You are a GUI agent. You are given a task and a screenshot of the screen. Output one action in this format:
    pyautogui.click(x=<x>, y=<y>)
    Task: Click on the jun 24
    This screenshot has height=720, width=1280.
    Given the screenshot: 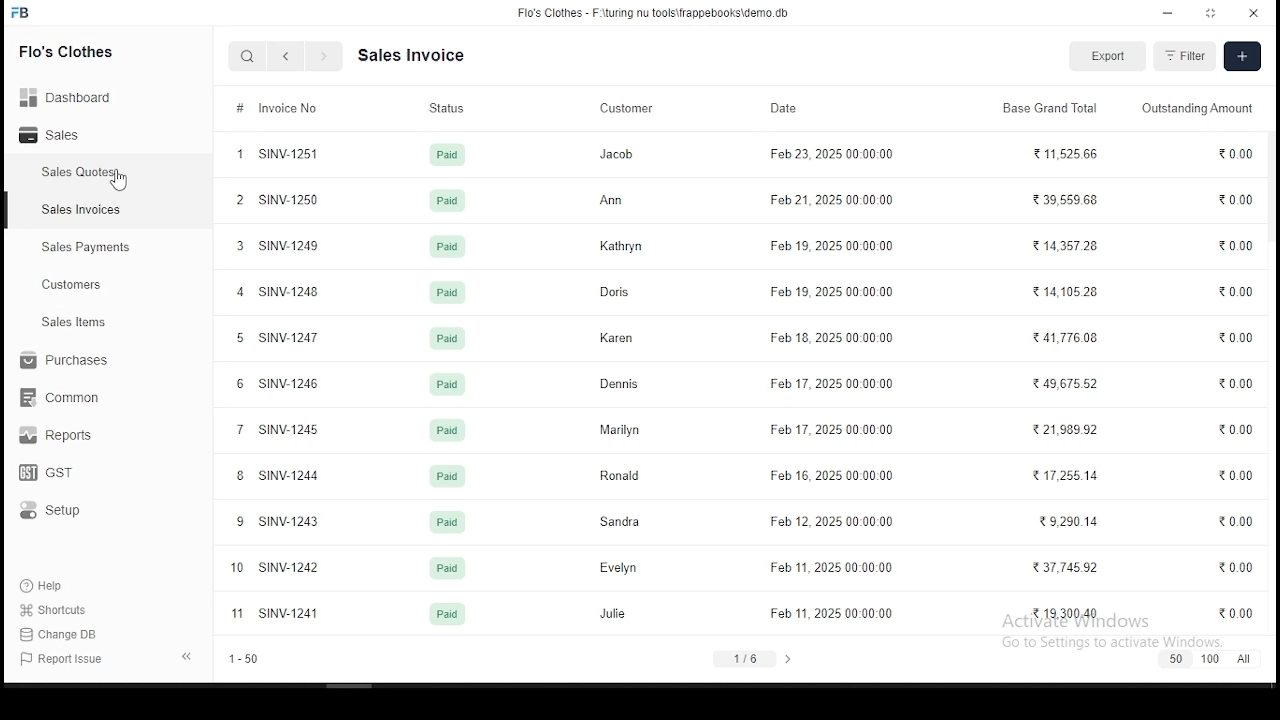 What is the action you would take?
    pyautogui.click(x=446, y=387)
    